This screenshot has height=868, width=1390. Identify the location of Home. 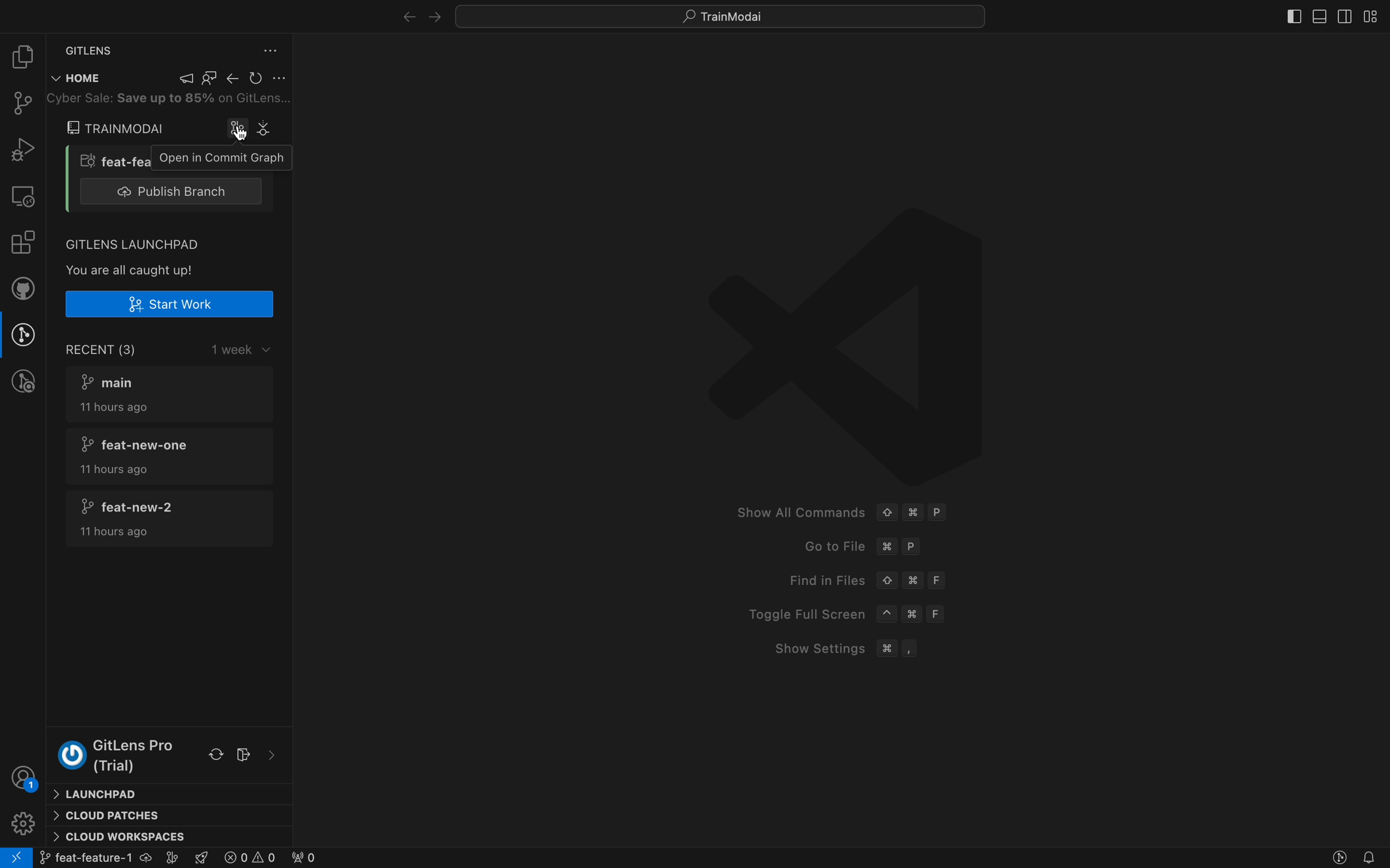
(77, 79).